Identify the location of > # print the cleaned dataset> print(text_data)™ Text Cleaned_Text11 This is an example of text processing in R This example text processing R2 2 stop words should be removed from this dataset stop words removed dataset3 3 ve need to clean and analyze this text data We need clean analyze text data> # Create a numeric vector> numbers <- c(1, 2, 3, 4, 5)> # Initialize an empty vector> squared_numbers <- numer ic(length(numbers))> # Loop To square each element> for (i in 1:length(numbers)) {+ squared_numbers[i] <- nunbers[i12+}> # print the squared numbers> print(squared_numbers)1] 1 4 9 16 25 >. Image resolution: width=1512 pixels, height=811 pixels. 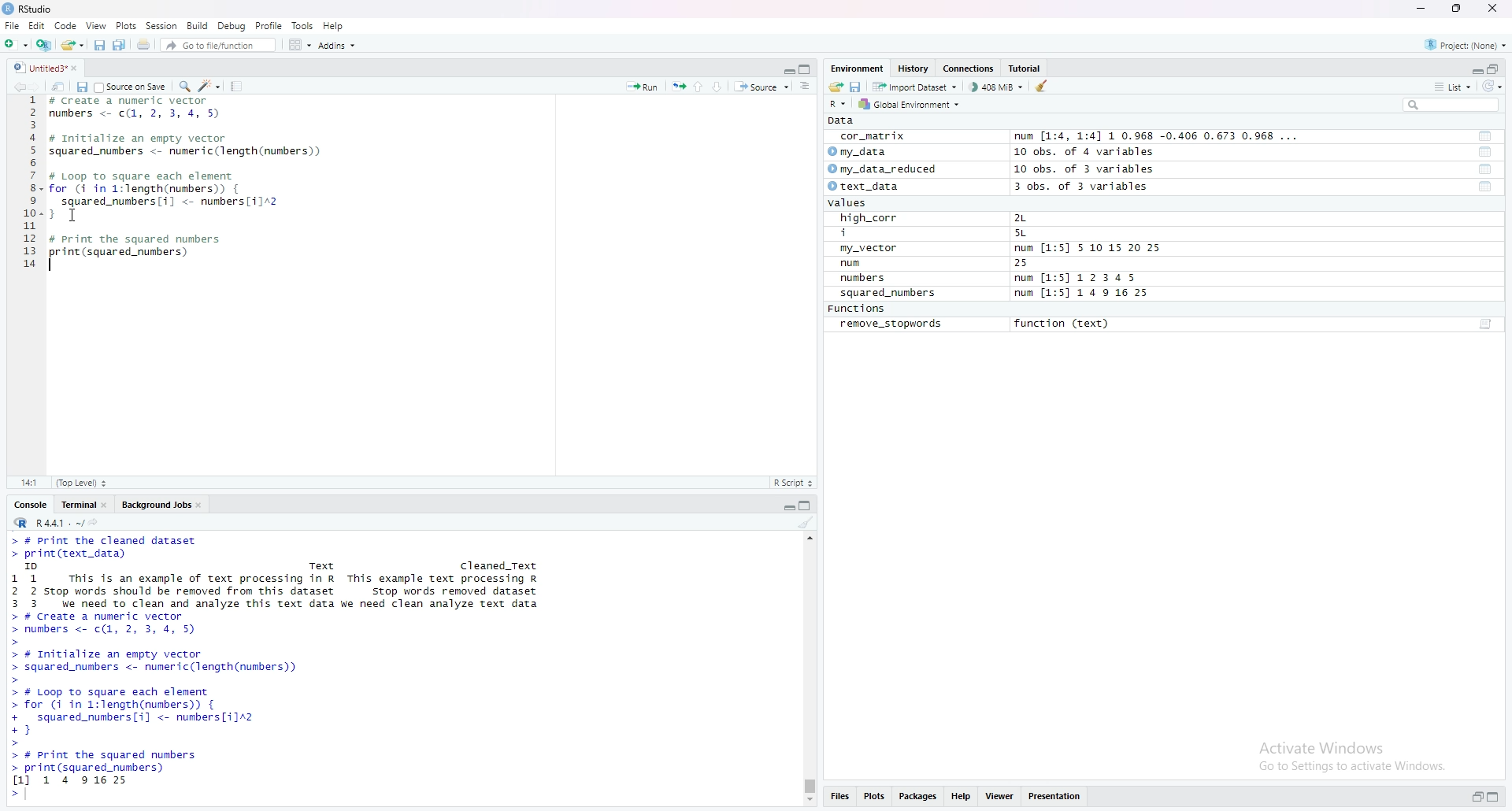
(283, 668).